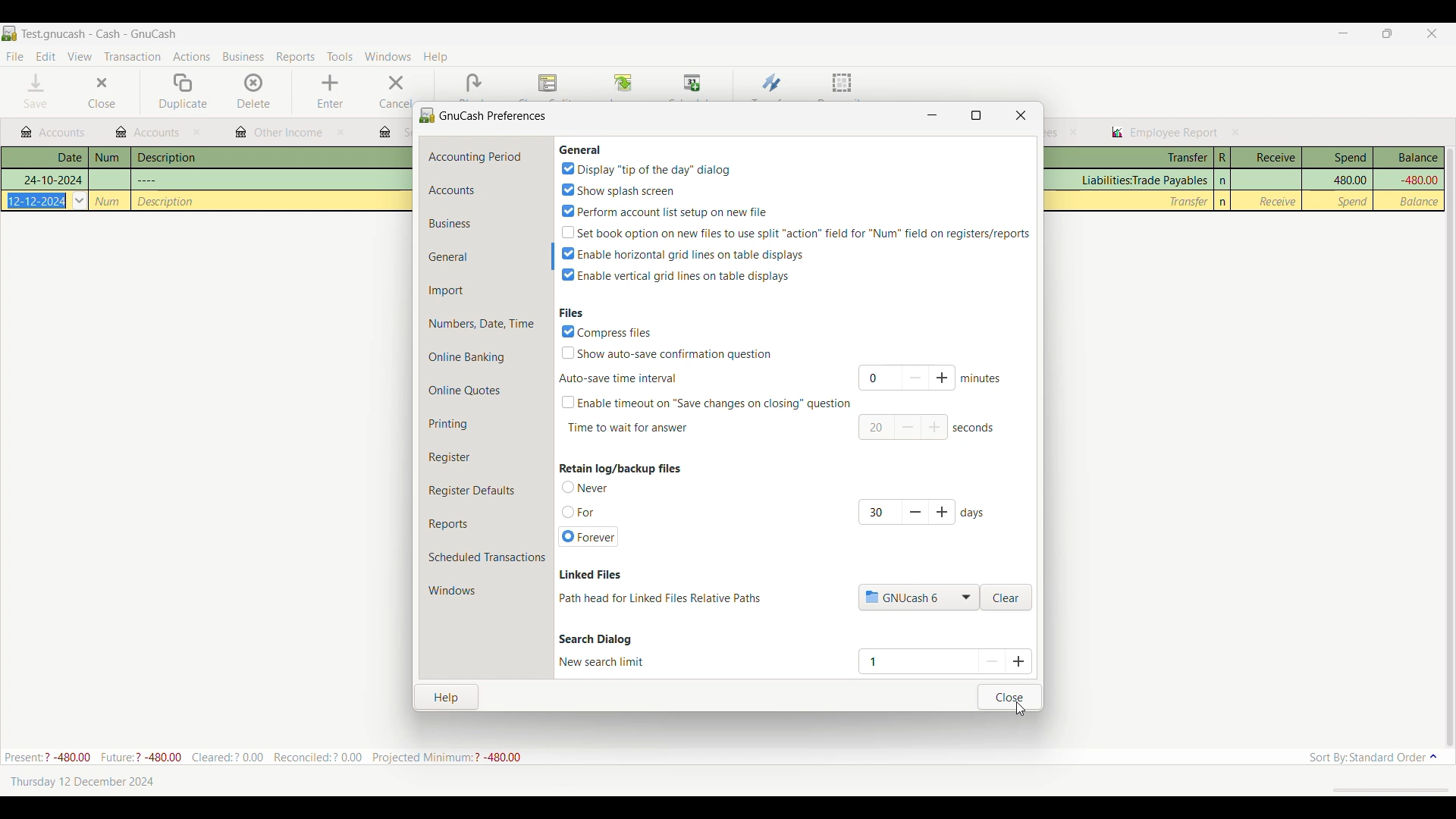 This screenshot has width=1456, height=819. What do you see at coordinates (1266, 158) in the screenshot?
I see `Receive column` at bounding box center [1266, 158].